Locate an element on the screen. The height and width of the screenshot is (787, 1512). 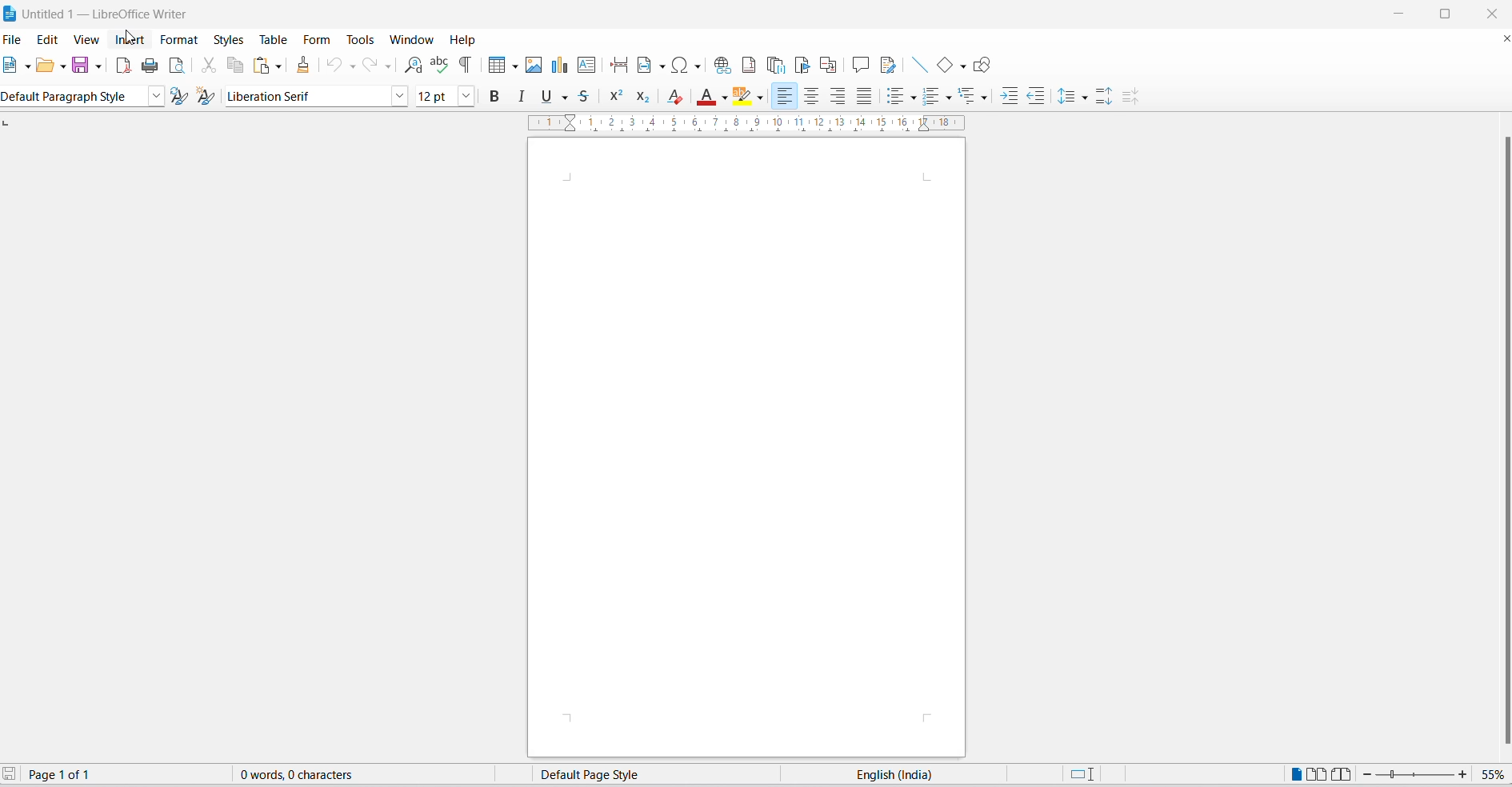
paste options is located at coordinates (280, 66).